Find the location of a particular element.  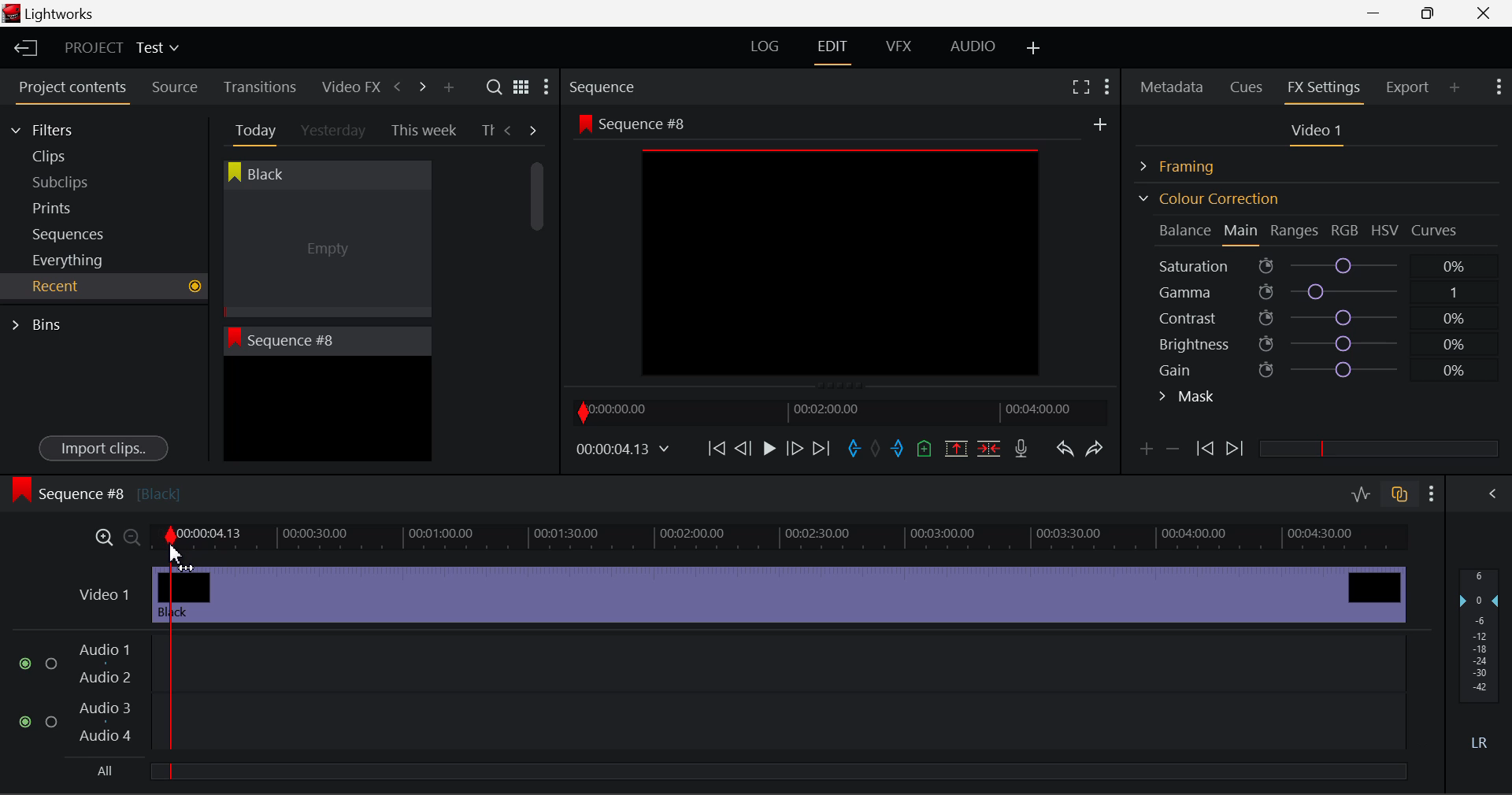

Play is located at coordinates (767, 449).